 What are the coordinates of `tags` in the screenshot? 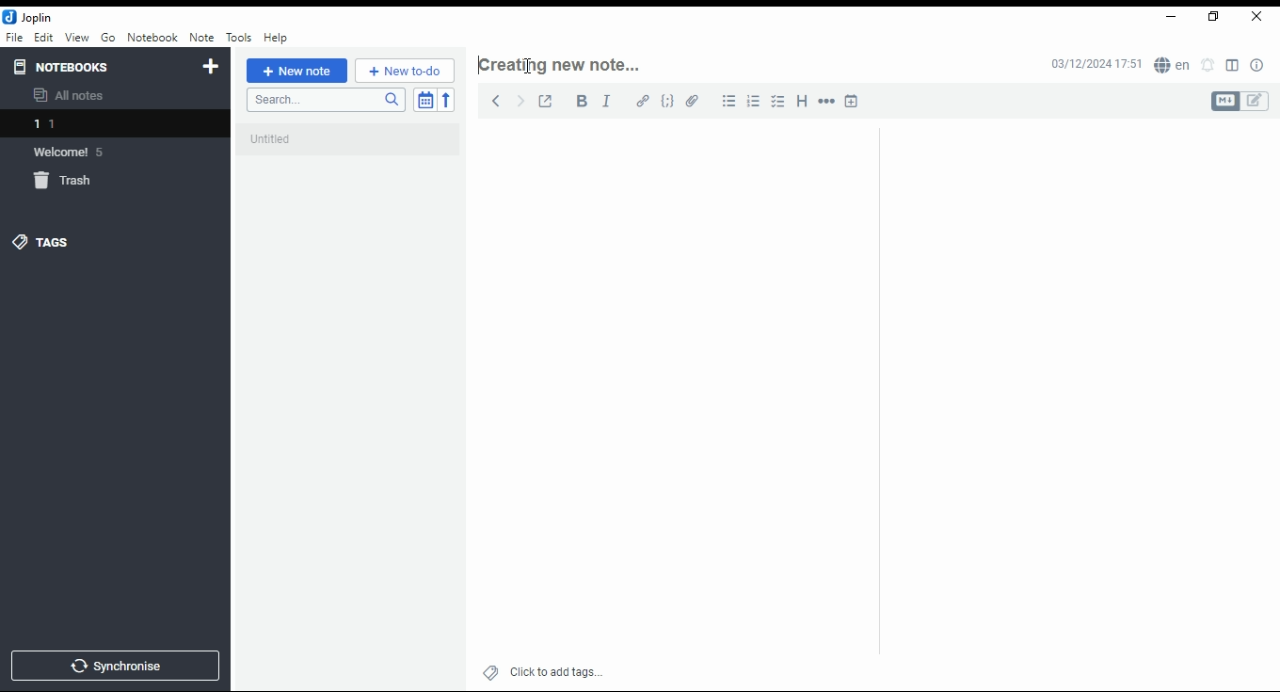 It's located at (55, 242).